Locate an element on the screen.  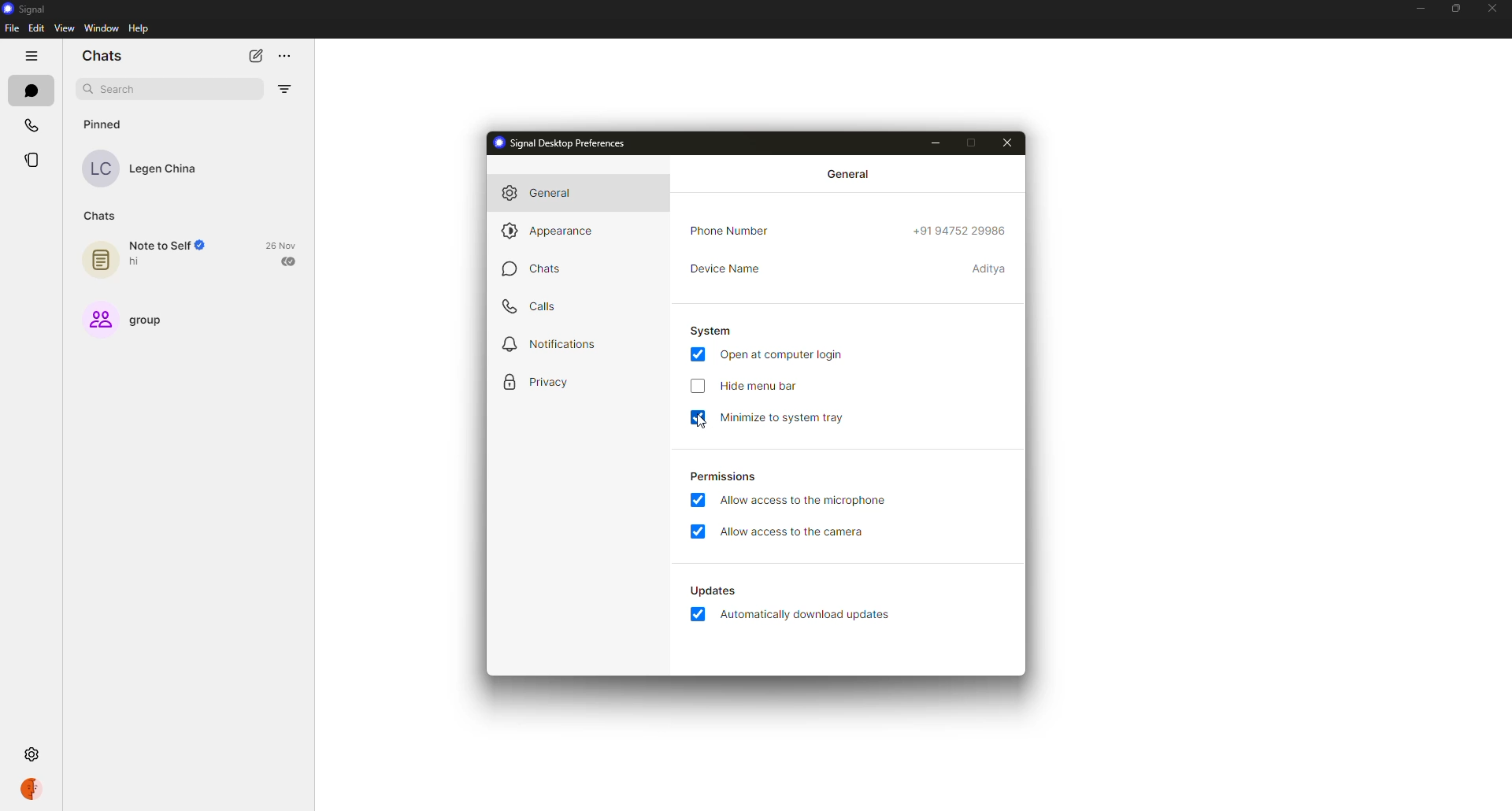
enabled is located at coordinates (700, 500).